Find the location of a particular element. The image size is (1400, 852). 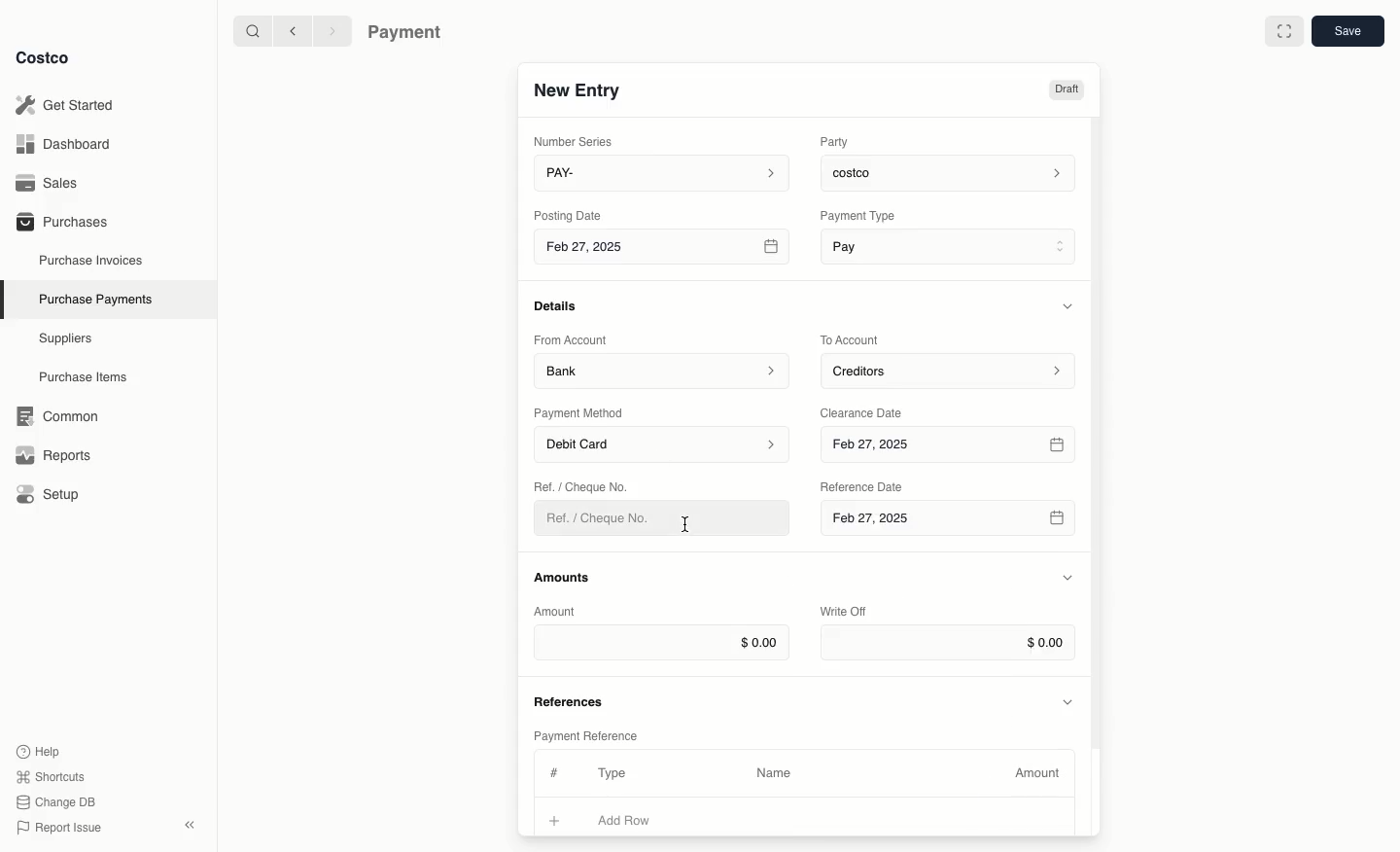

Report Issue is located at coordinates (59, 829).